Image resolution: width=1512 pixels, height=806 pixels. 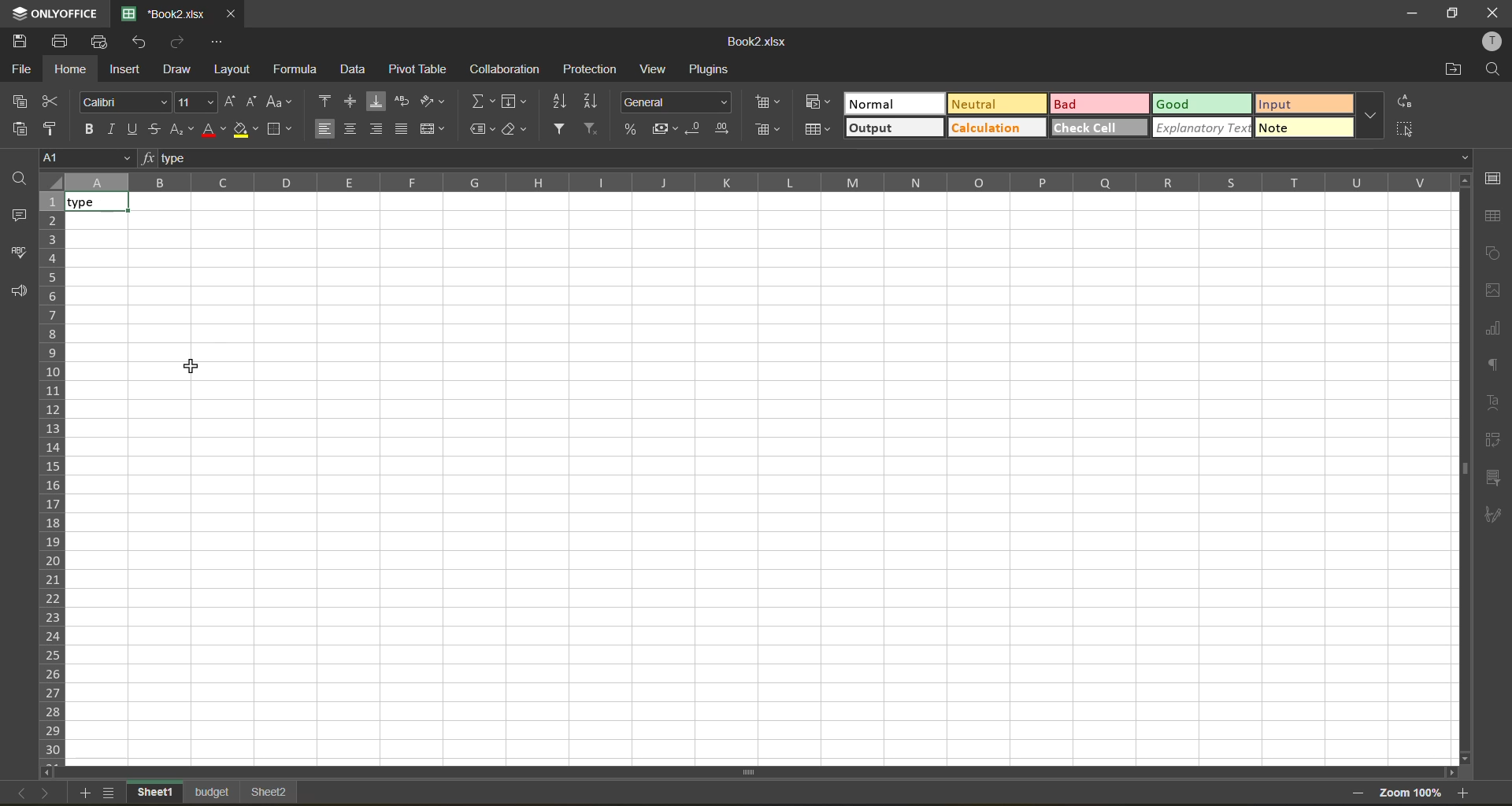 I want to click on spell check, so click(x=17, y=257).